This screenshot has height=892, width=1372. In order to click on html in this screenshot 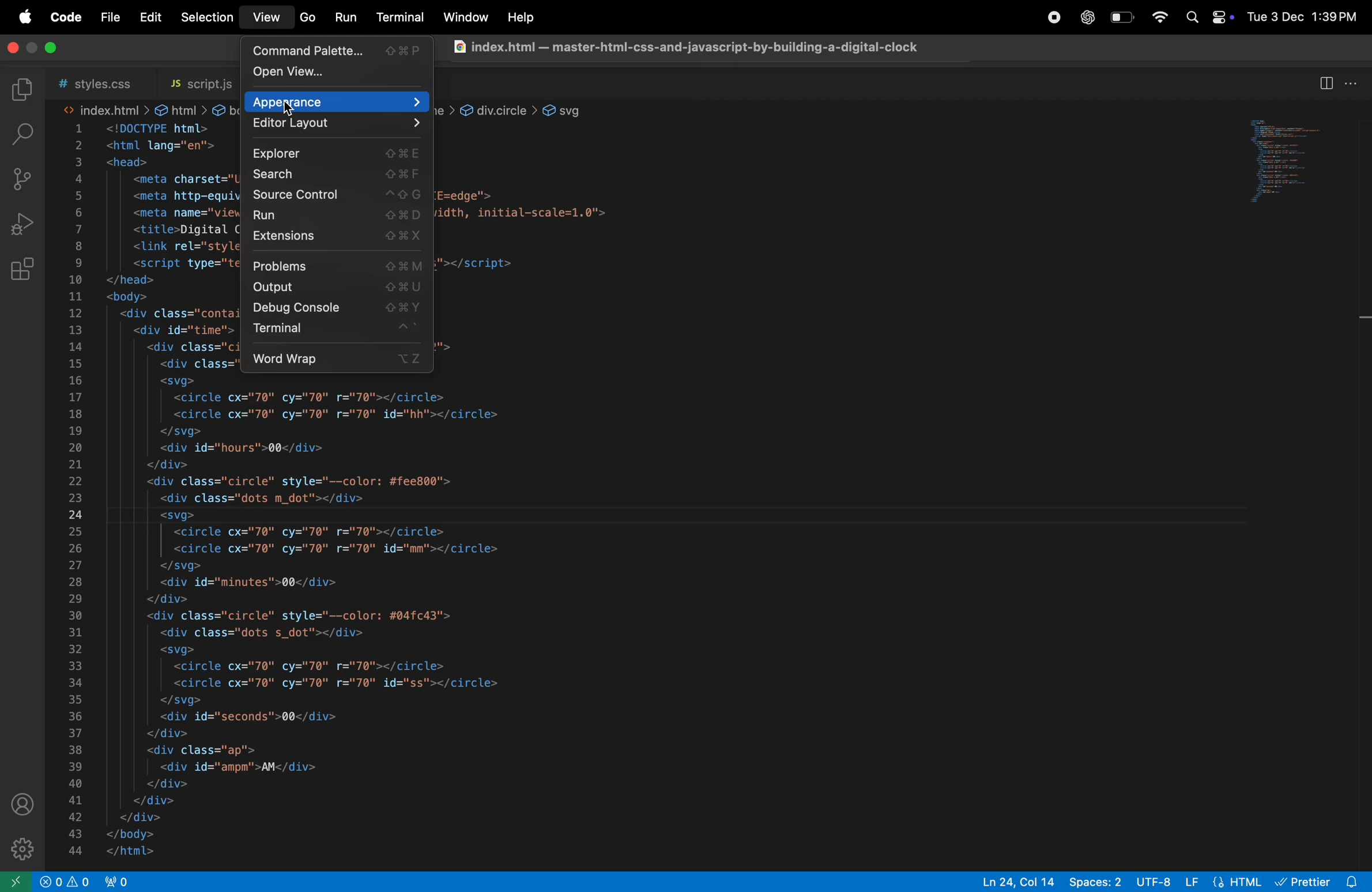, I will do `click(1225, 880)`.